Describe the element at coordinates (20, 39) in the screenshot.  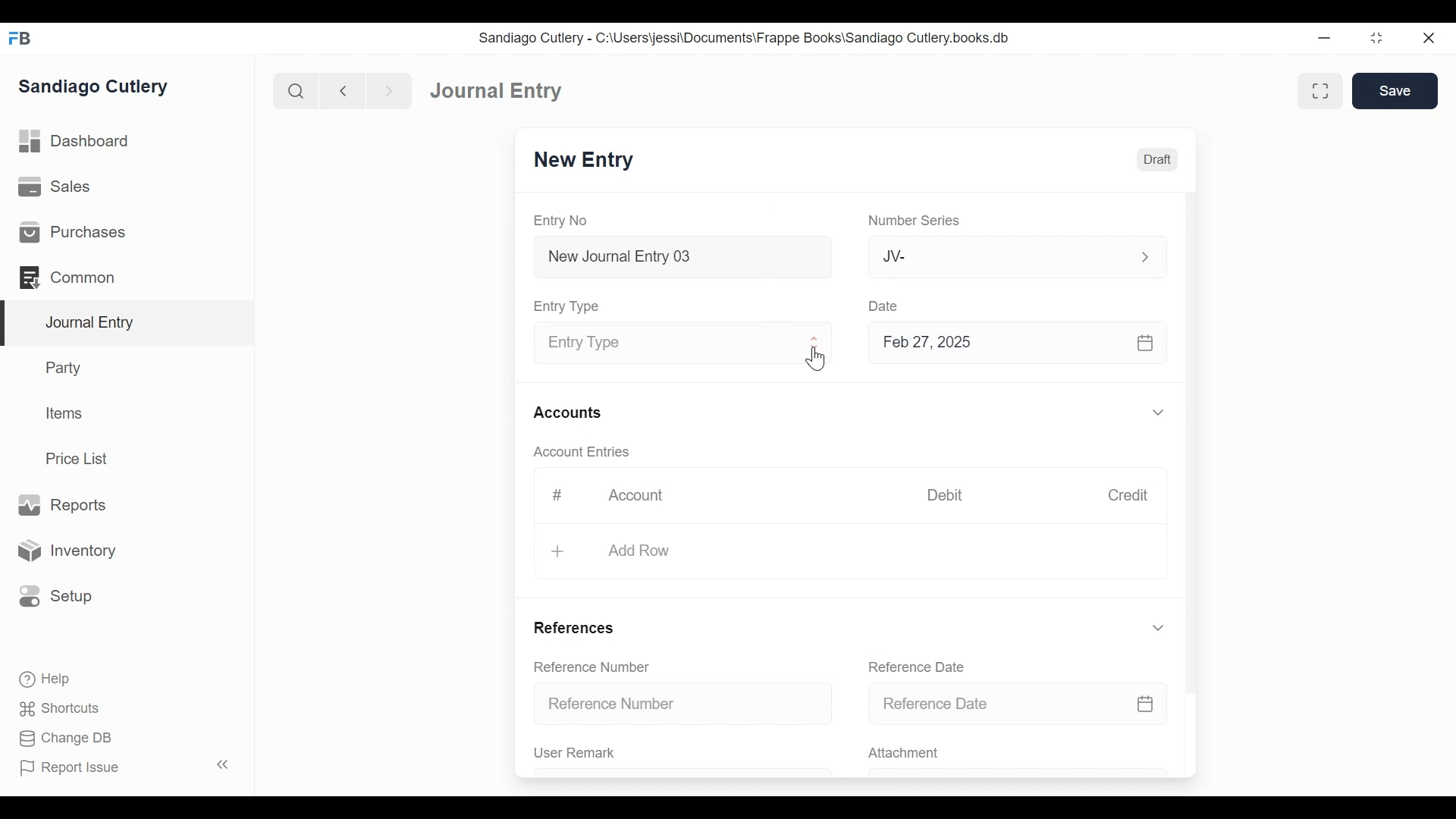
I see `Frappe Books Desktop Icon` at that location.